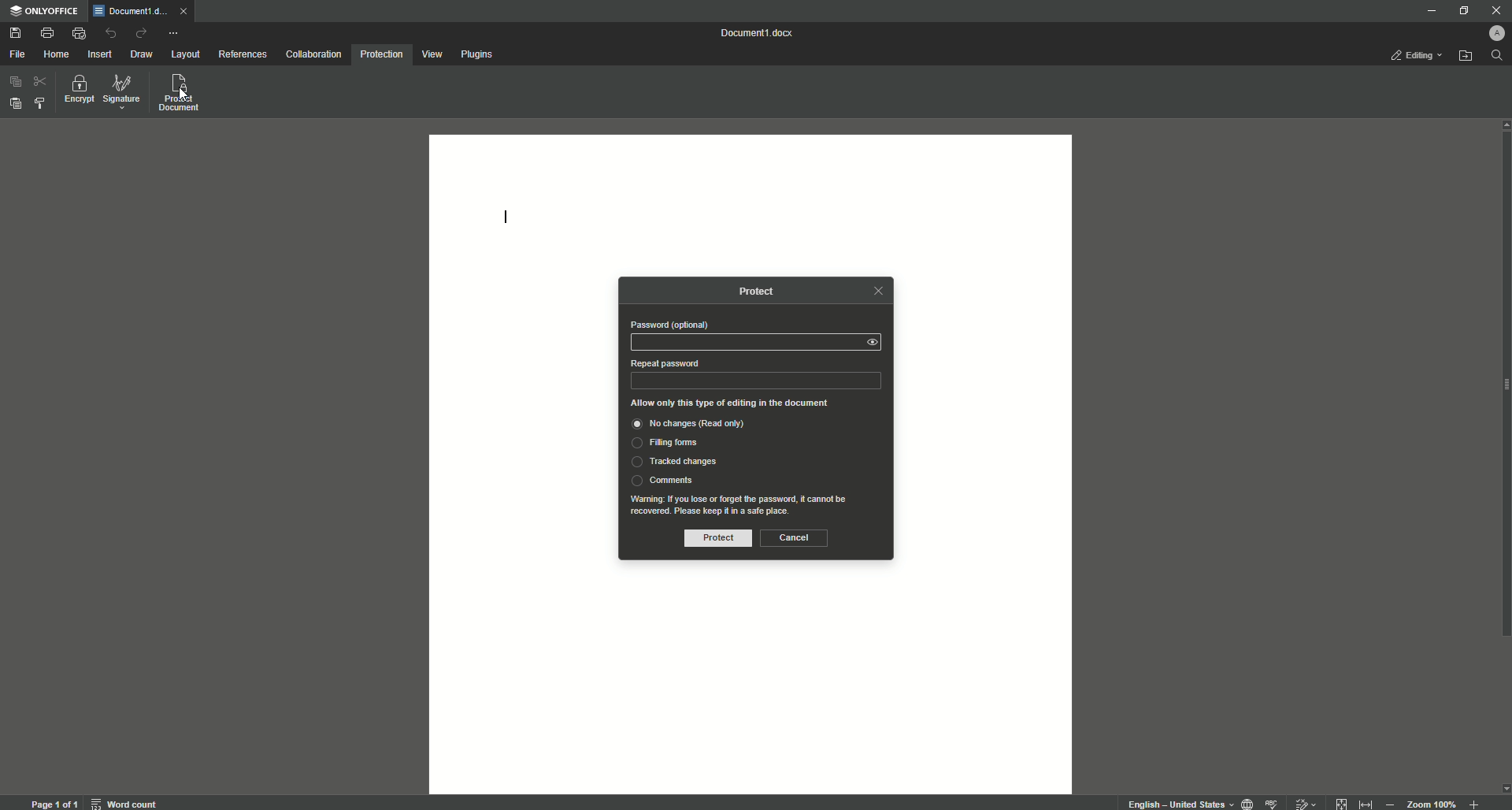  Describe the element at coordinates (1247, 802) in the screenshot. I see `set document language` at that location.